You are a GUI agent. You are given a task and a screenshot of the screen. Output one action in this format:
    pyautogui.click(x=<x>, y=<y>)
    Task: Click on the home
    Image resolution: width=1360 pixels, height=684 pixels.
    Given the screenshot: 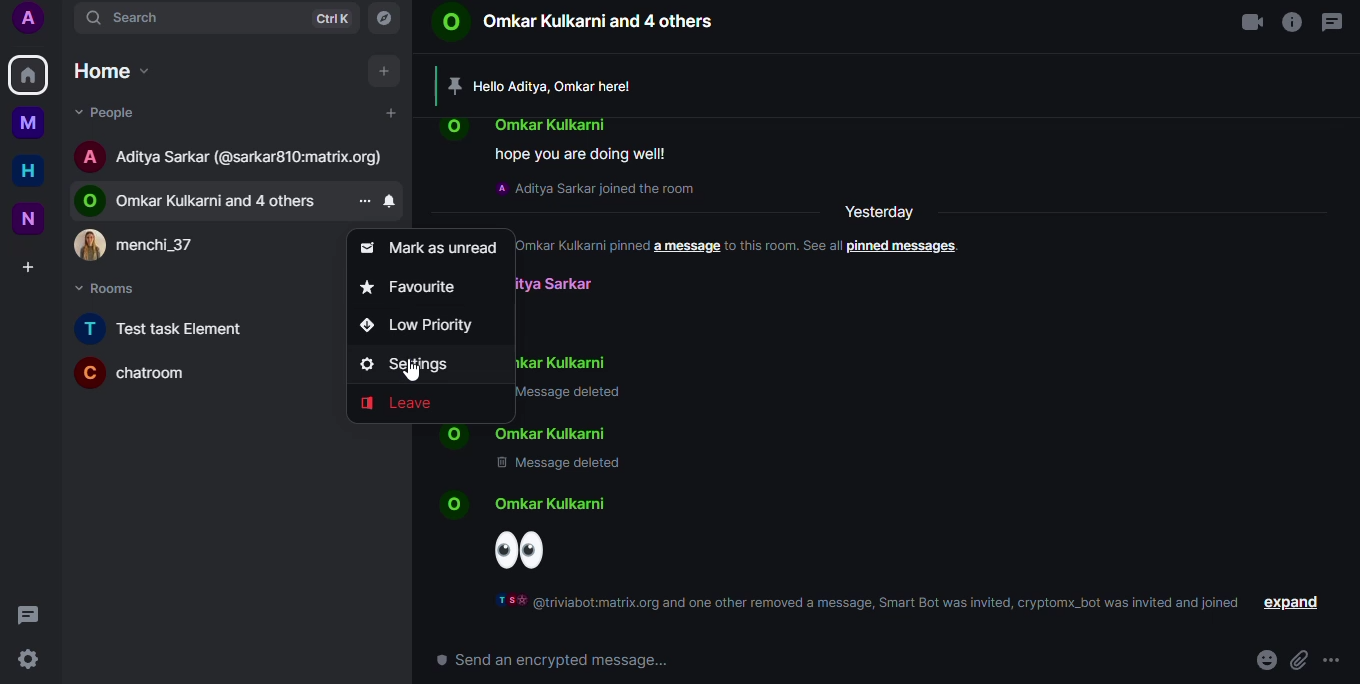 What is the action you would take?
    pyautogui.click(x=117, y=72)
    